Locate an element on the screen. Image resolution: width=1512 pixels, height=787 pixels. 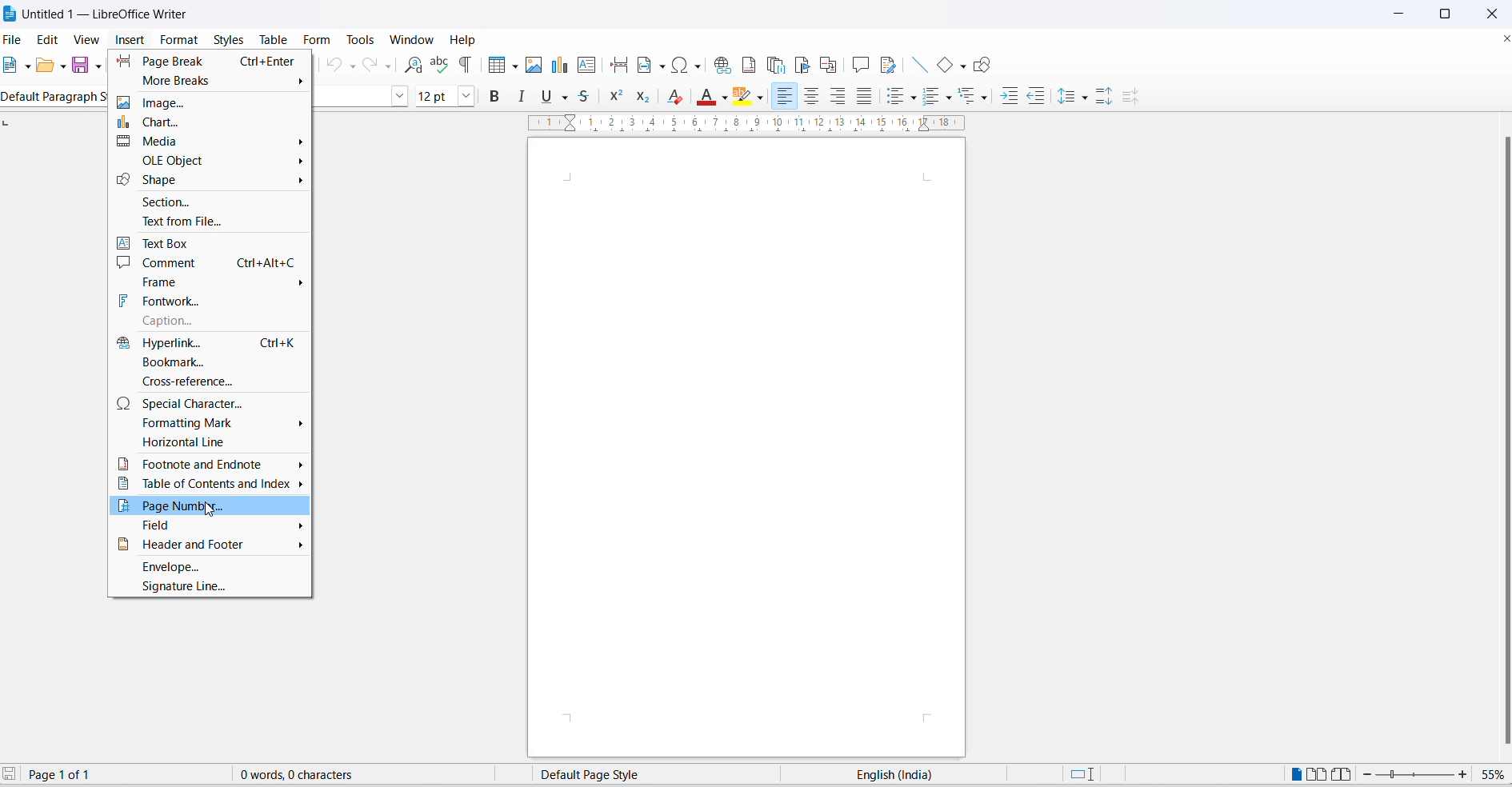
comment is located at coordinates (210, 263).